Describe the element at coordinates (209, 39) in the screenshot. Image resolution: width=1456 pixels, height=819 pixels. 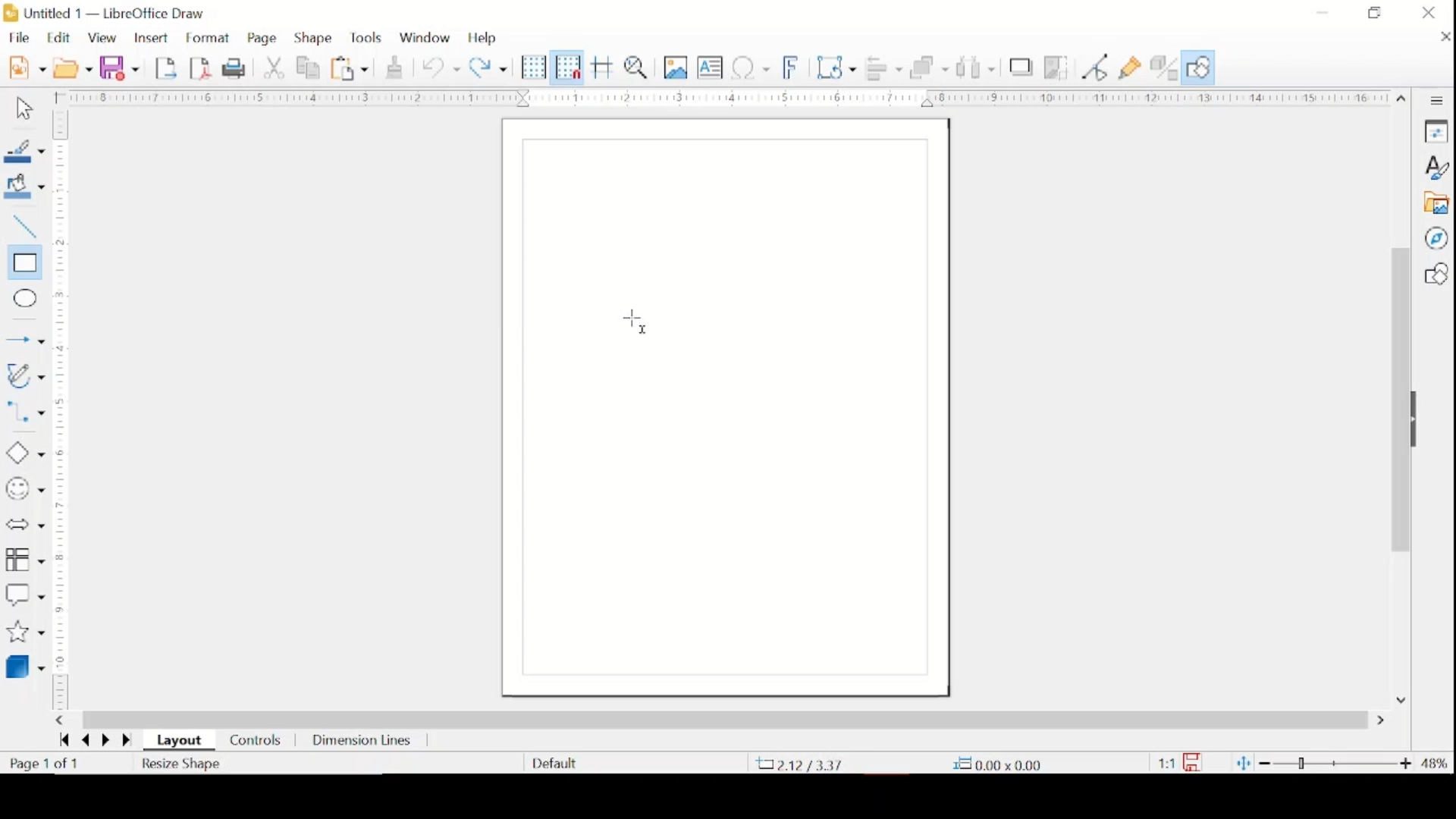
I see `format` at that location.